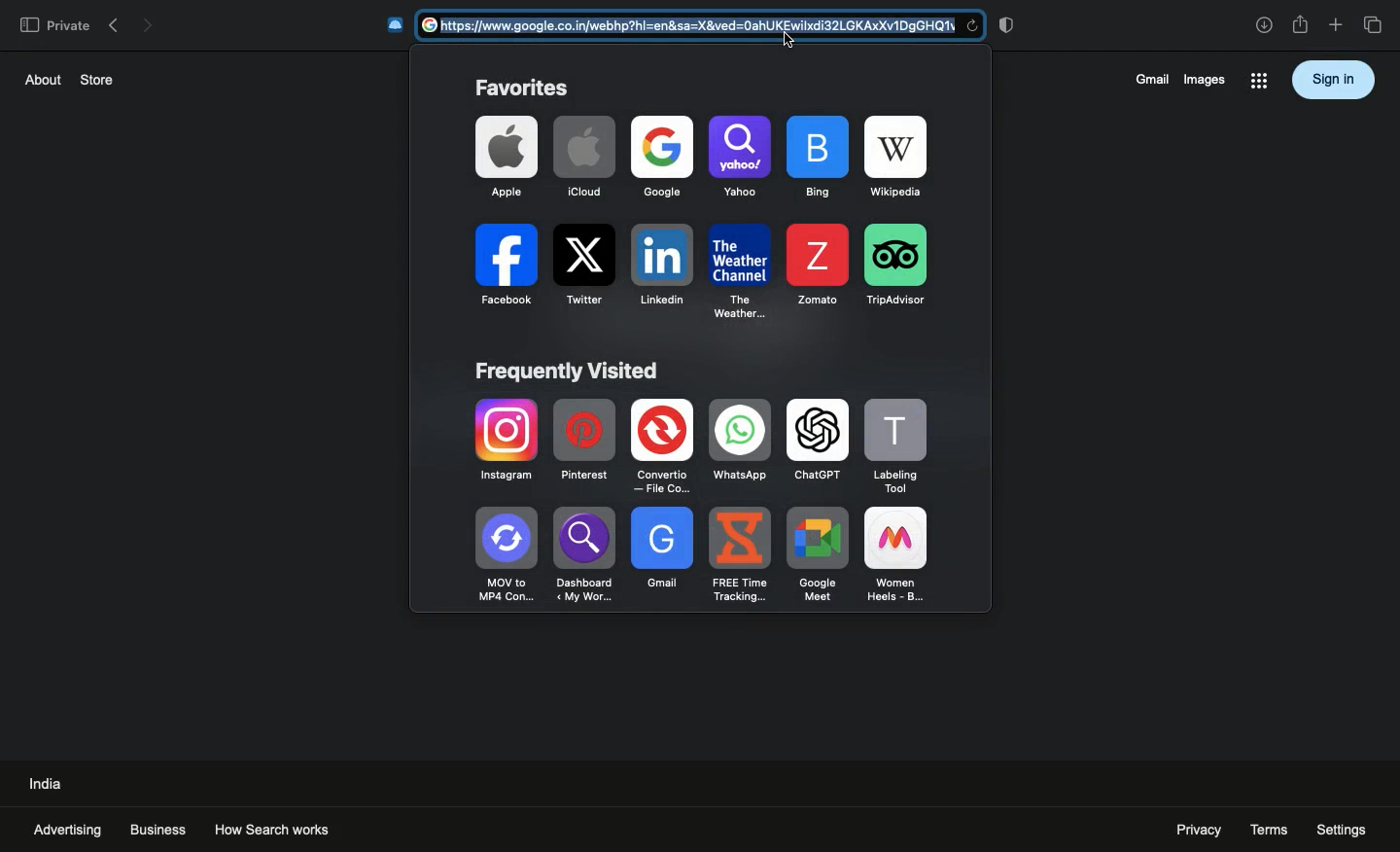 Image resolution: width=1400 pixels, height=852 pixels. What do you see at coordinates (1258, 83) in the screenshot?
I see `options` at bounding box center [1258, 83].